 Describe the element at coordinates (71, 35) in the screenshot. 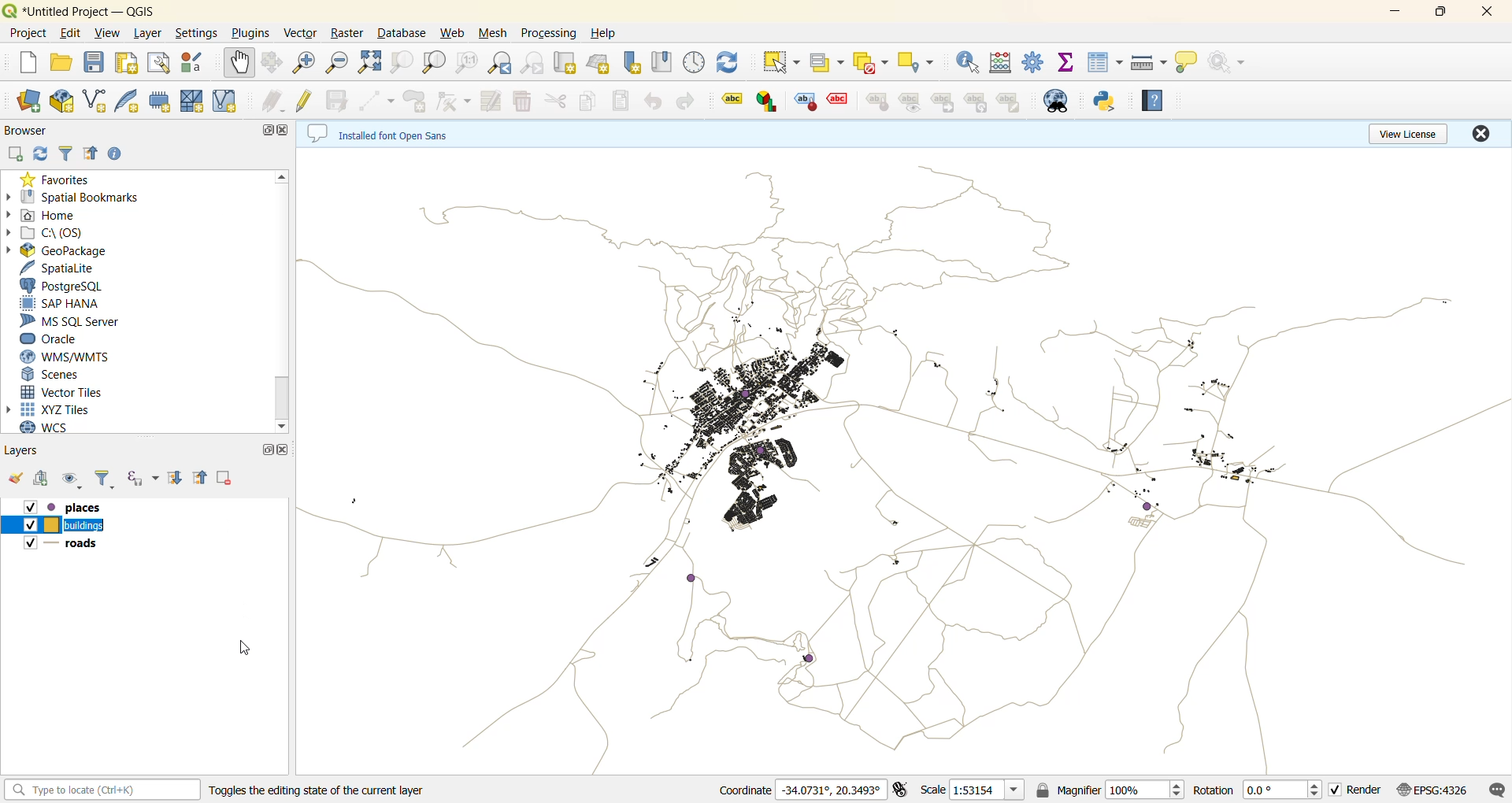

I see `edit` at that location.